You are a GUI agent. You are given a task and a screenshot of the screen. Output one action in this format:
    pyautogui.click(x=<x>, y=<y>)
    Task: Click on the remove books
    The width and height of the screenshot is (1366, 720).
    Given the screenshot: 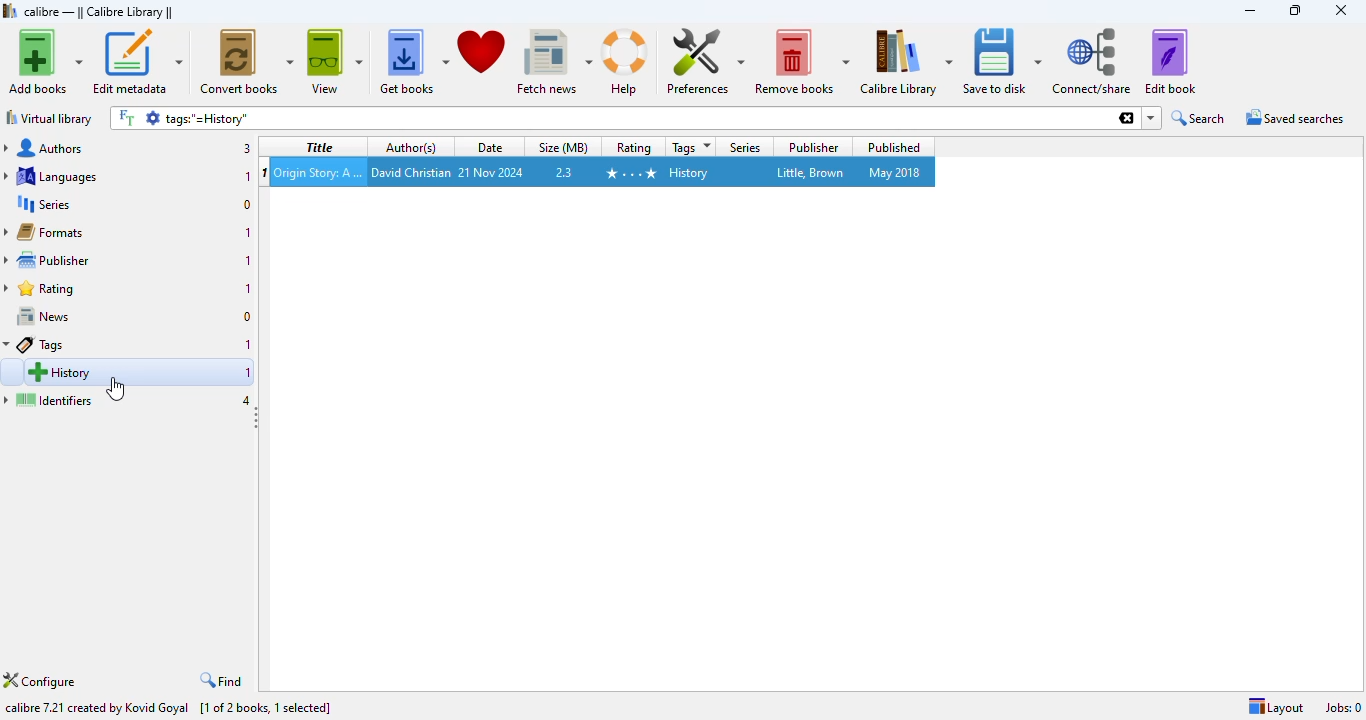 What is the action you would take?
    pyautogui.click(x=803, y=60)
    